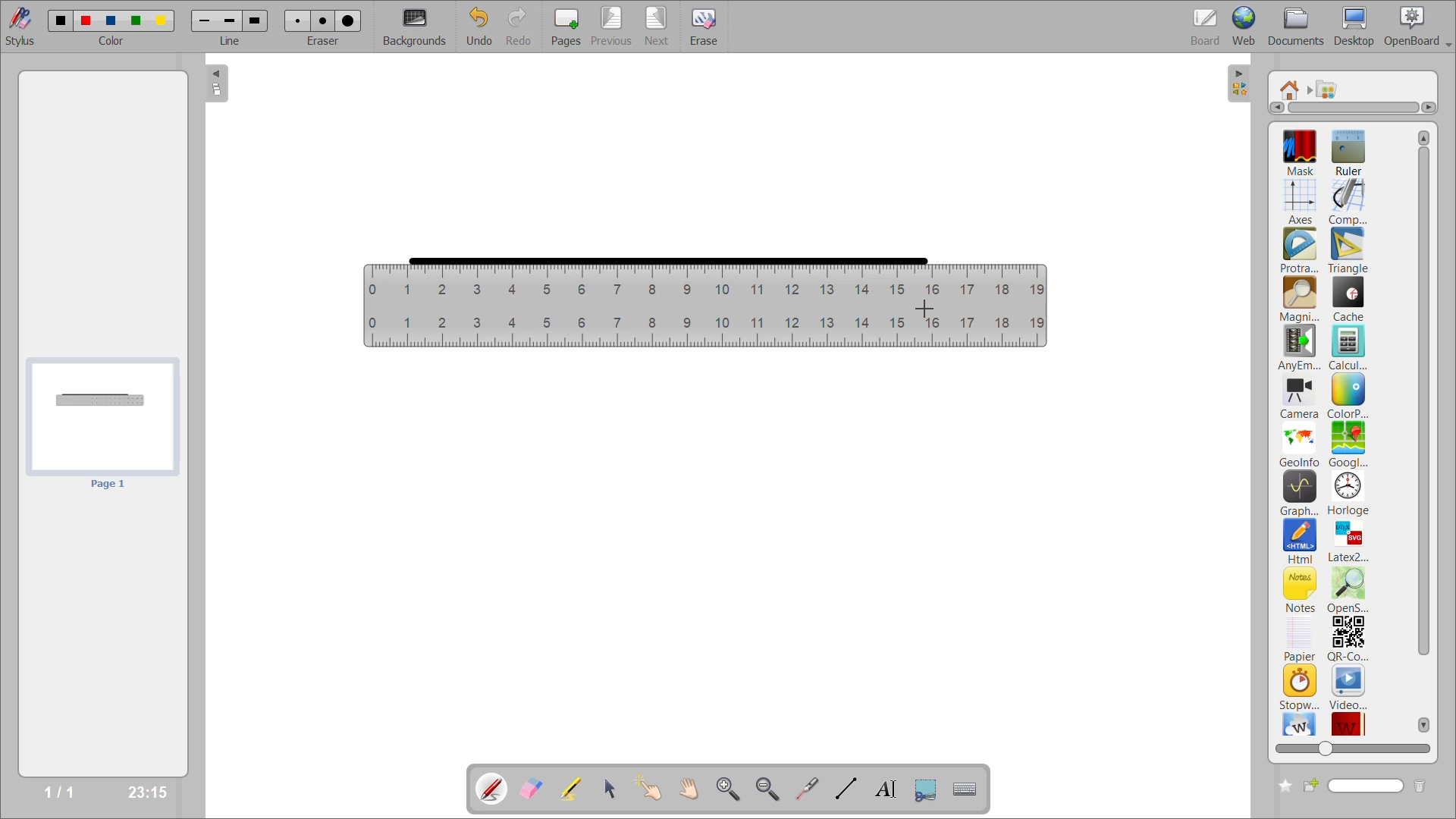 The height and width of the screenshot is (819, 1456). I want to click on horizontal scroll bar, so click(1355, 108).